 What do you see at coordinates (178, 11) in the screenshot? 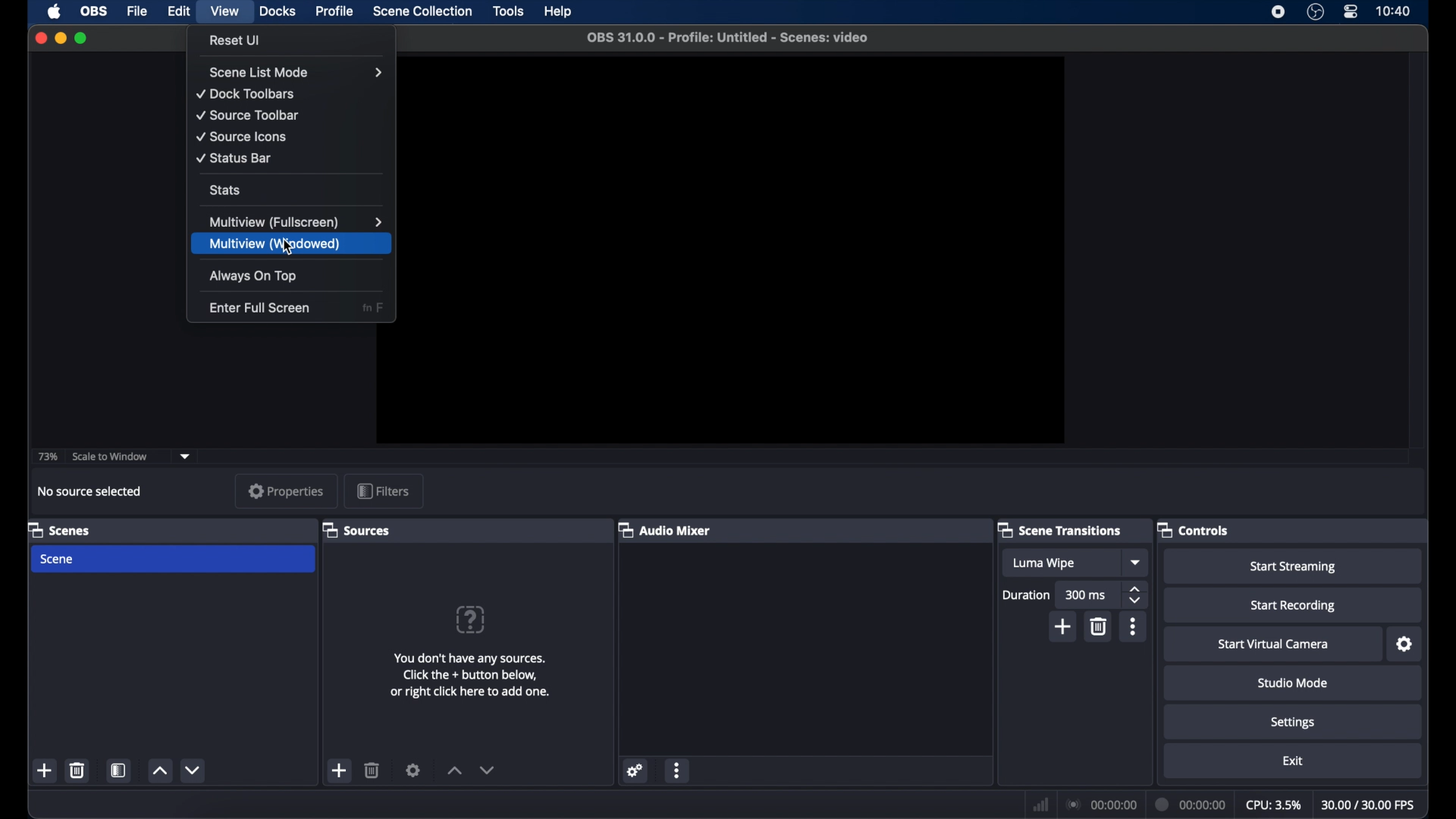
I see `edit` at bounding box center [178, 11].